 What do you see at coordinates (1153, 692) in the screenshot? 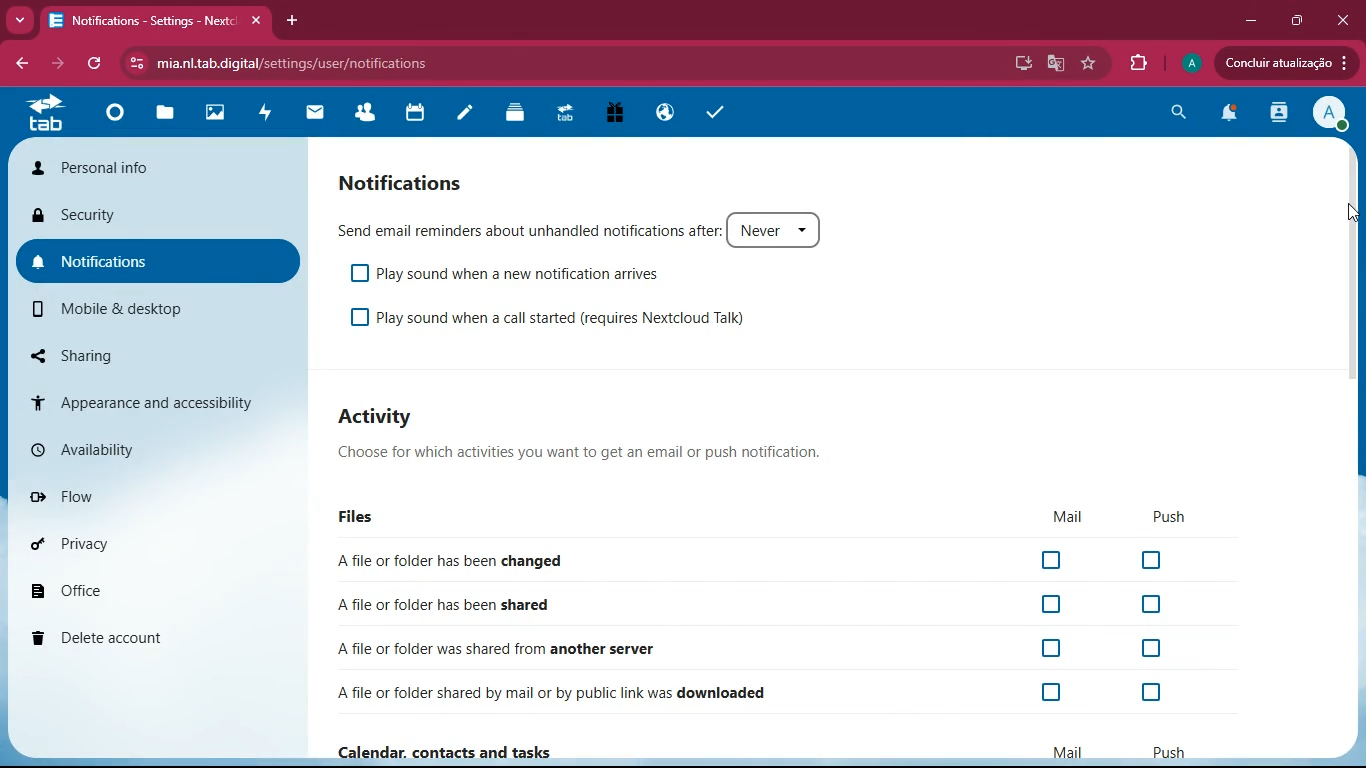
I see `off` at bounding box center [1153, 692].